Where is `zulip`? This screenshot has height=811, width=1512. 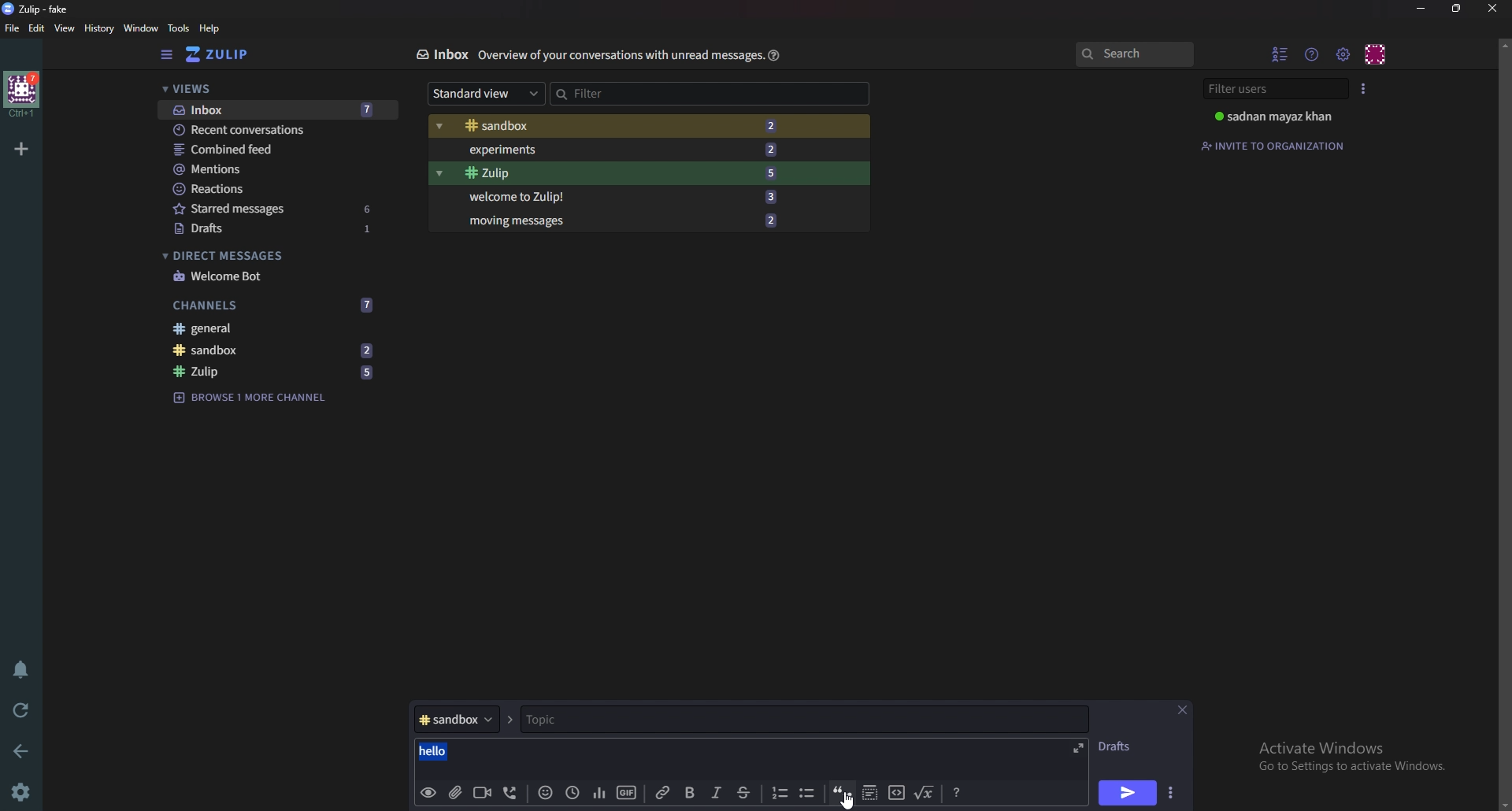 zulip is located at coordinates (226, 55).